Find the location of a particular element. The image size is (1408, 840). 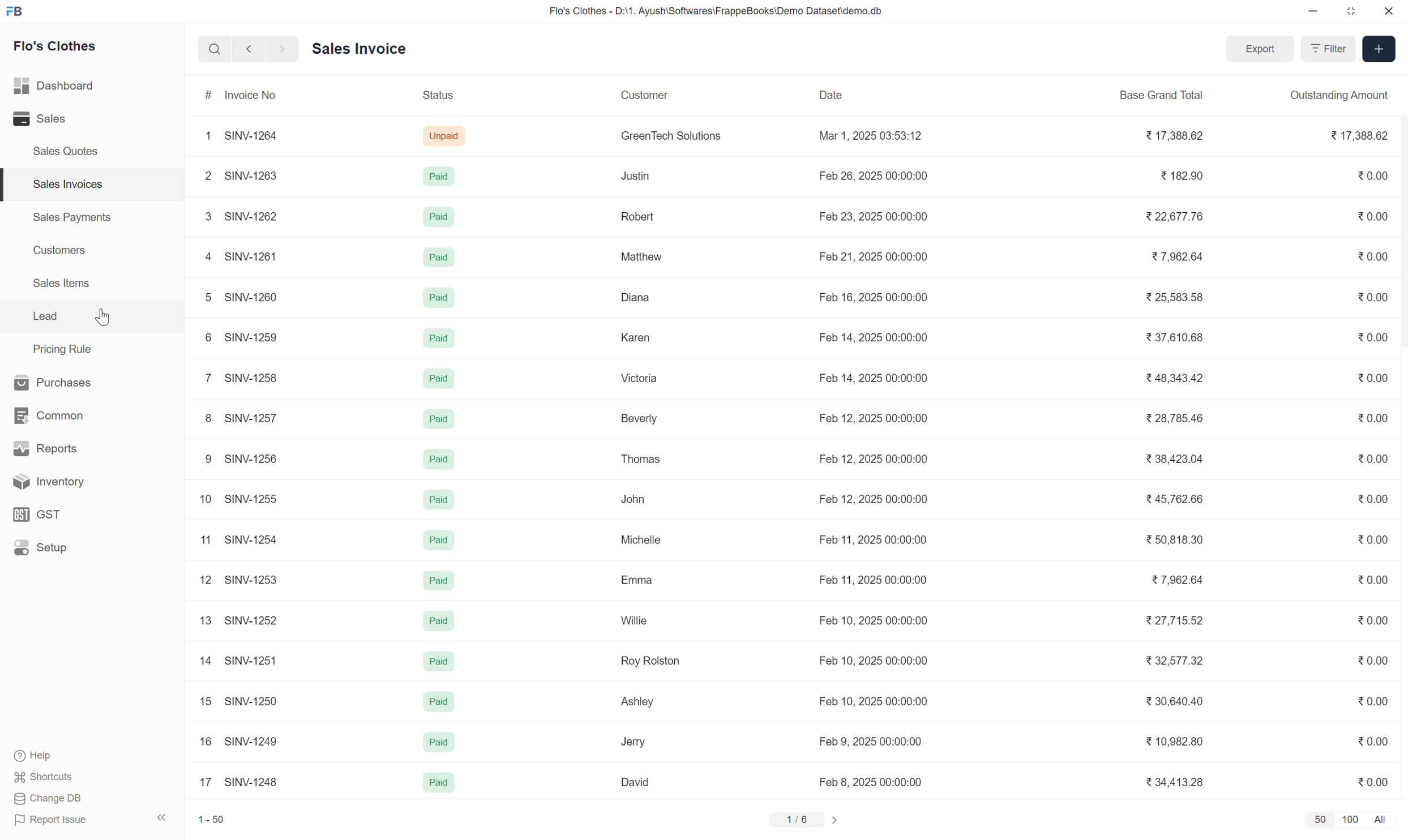

Feb 26, 2025 00:00:00 is located at coordinates (869, 176).